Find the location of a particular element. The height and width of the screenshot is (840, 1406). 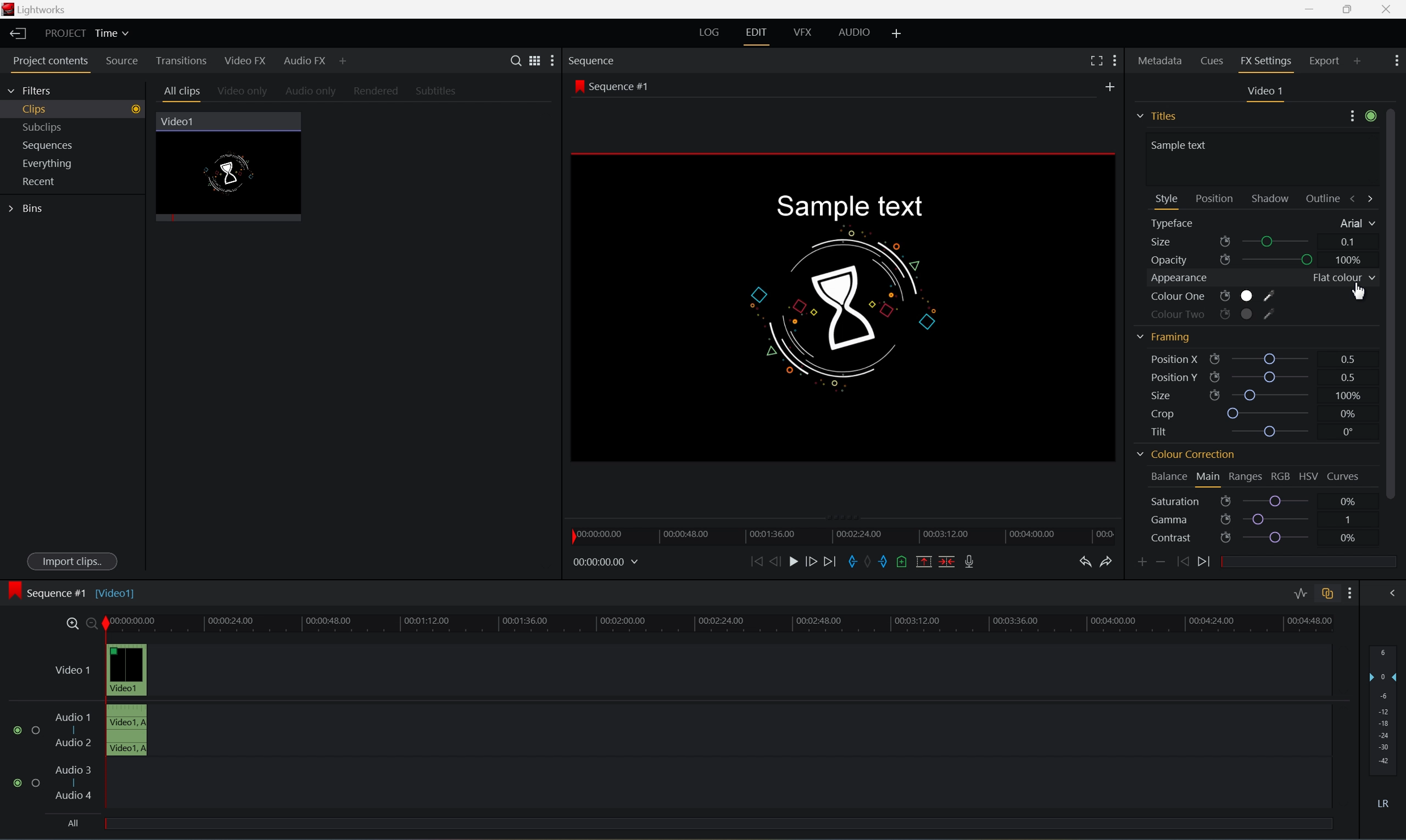

Filters is located at coordinates (31, 92).